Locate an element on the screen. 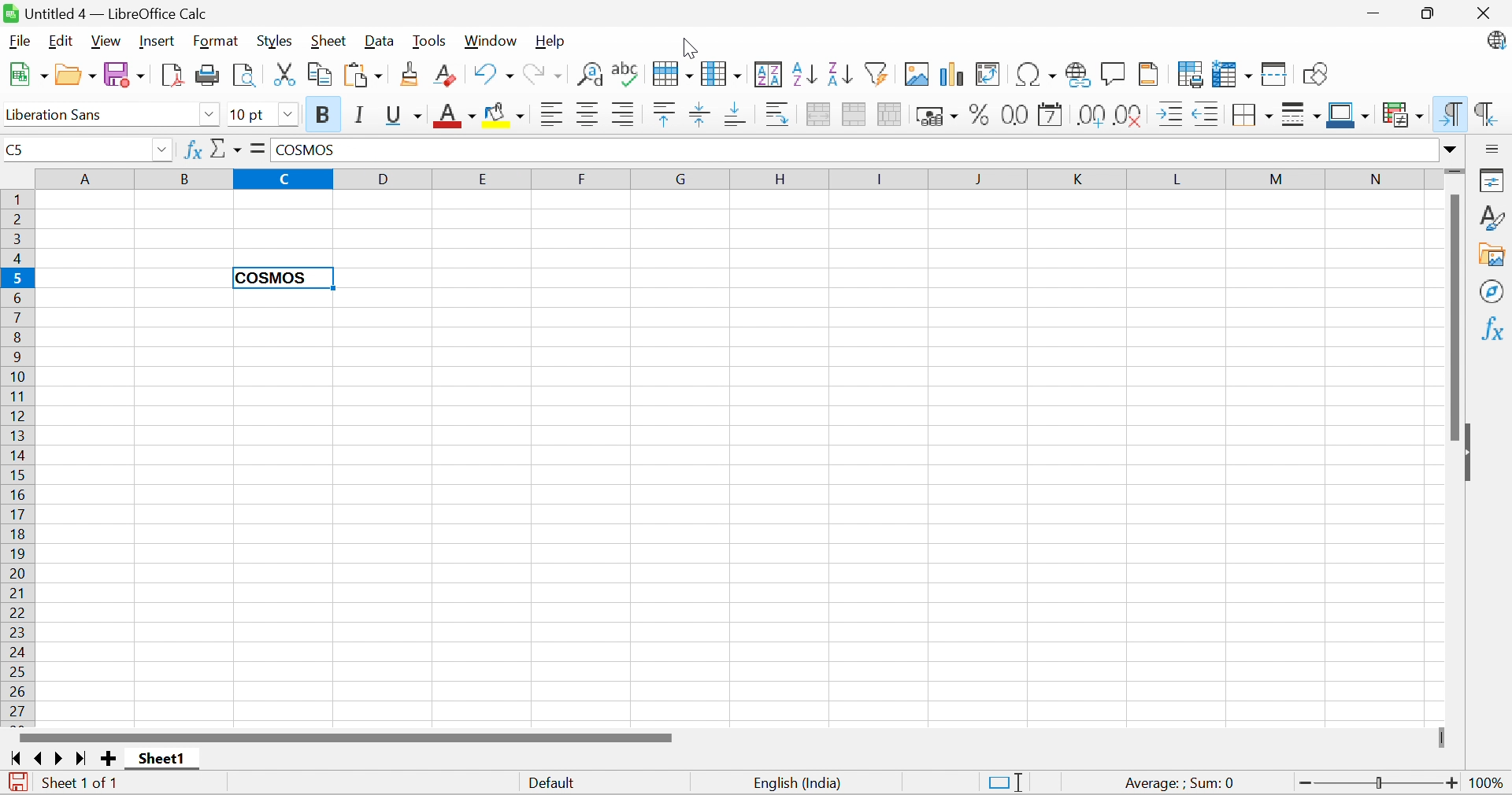 Image resolution: width=1512 pixels, height=795 pixels. Open is located at coordinates (74, 74).